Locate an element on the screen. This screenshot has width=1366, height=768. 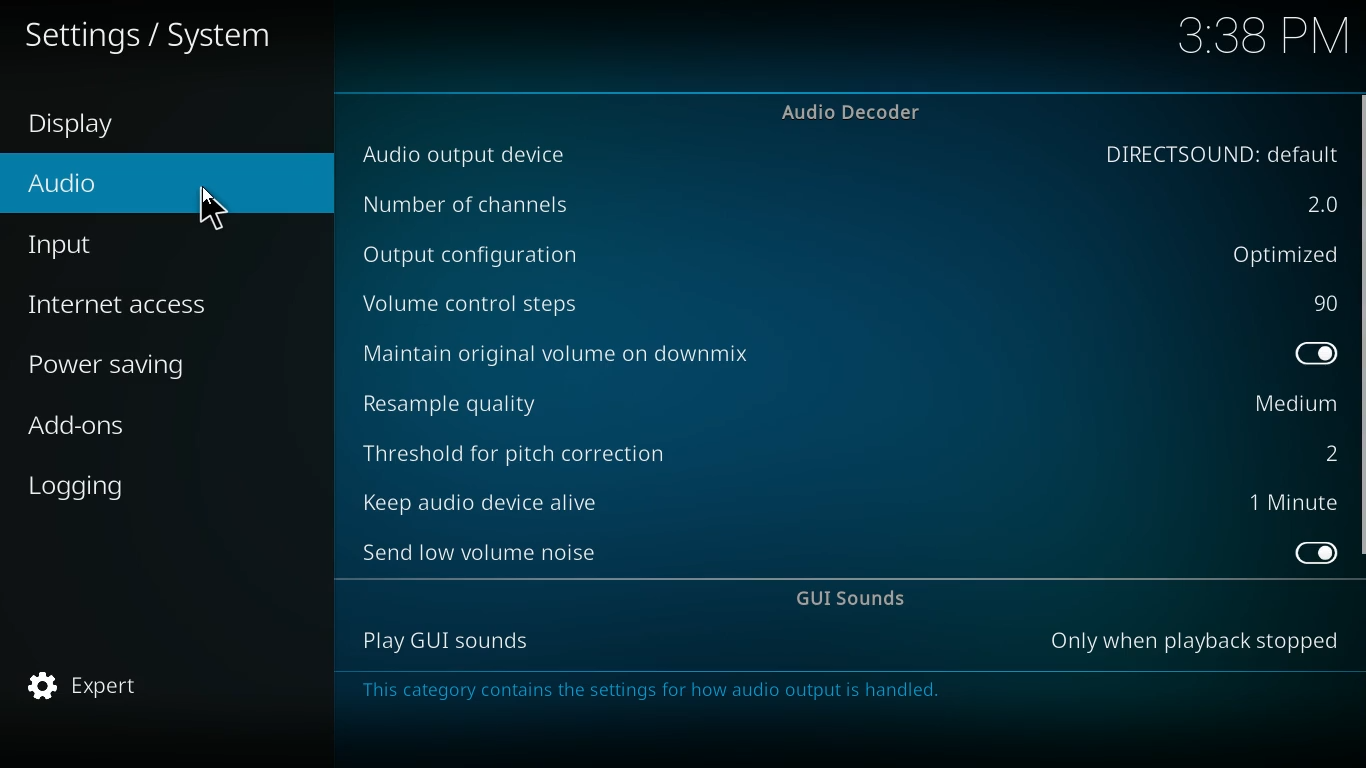
only when playback stopped is located at coordinates (1197, 641).